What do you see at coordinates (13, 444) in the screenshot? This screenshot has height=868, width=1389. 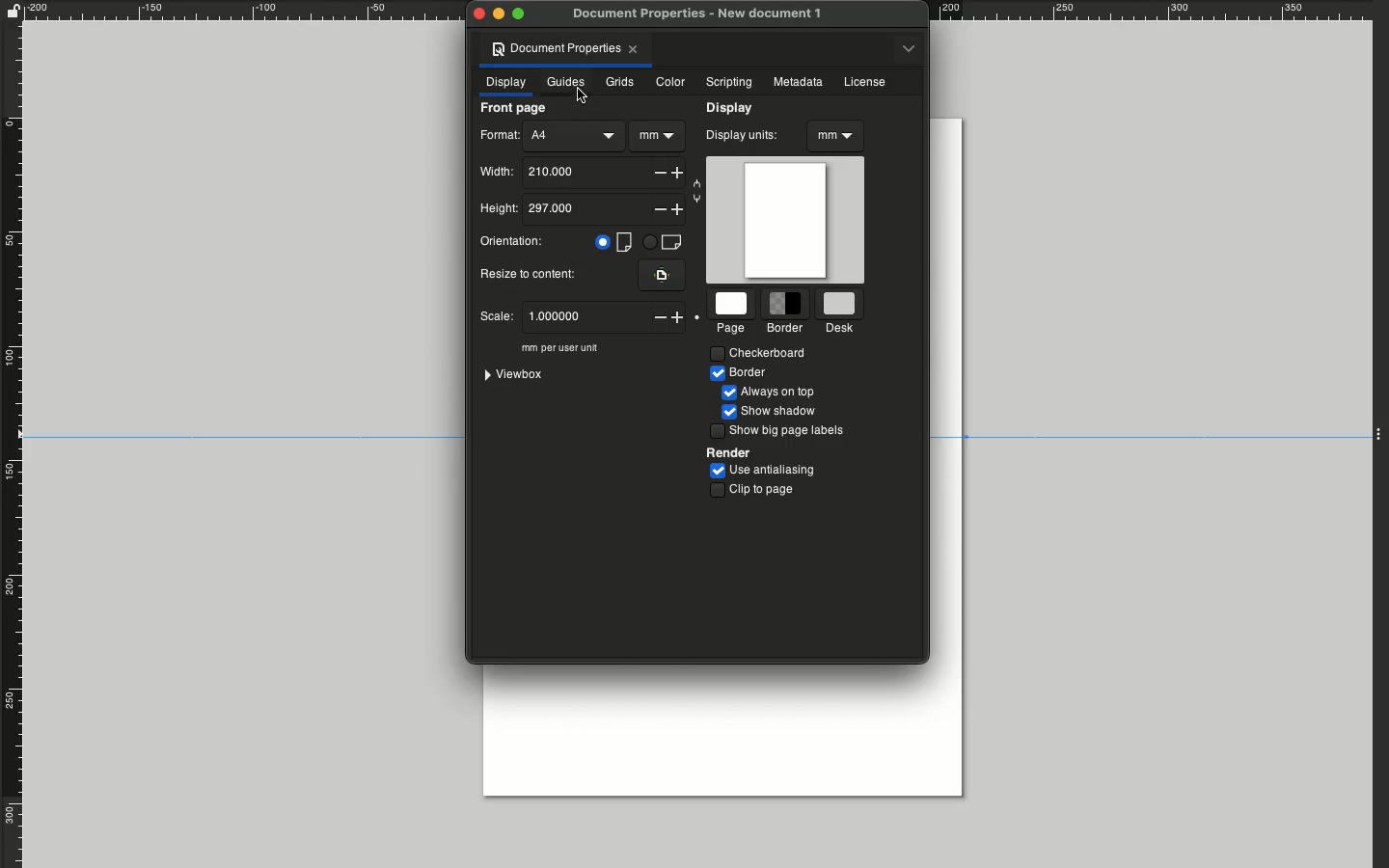 I see `Rule` at bounding box center [13, 444].